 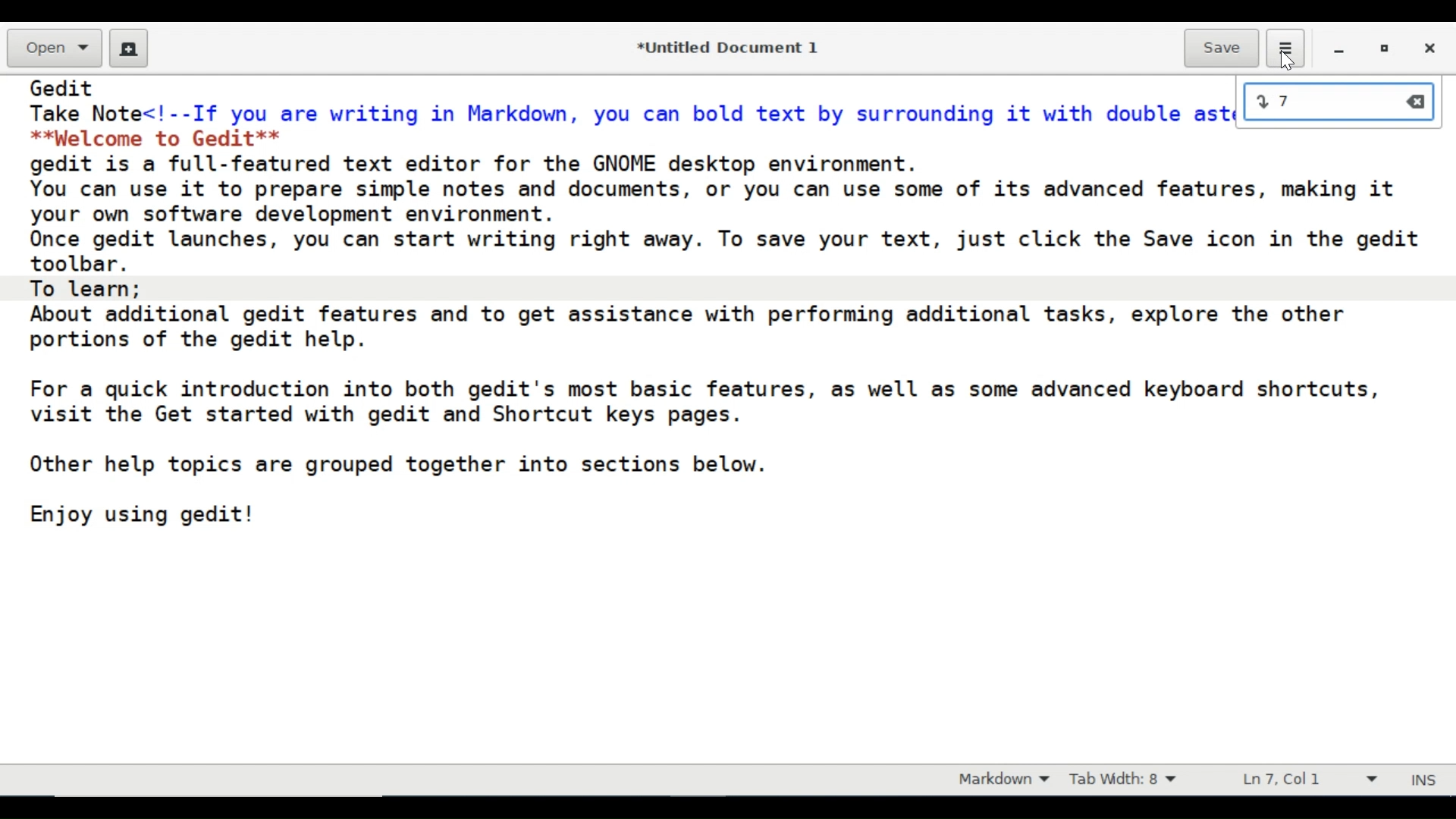 What do you see at coordinates (1285, 49) in the screenshot?
I see `Application menu` at bounding box center [1285, 49].